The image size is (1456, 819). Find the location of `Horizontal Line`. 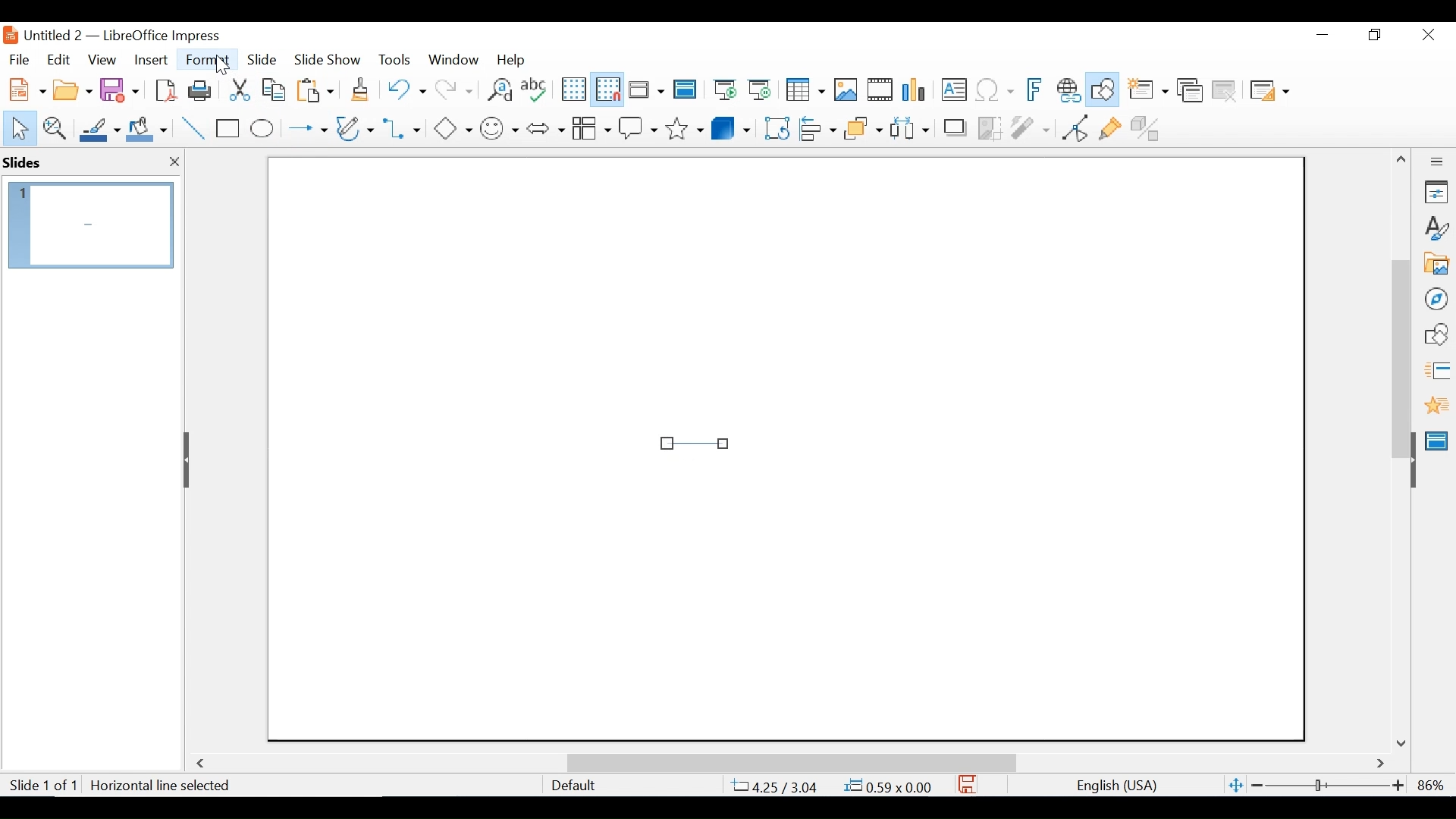

Horizontal Line is located at coordinates (695, 443).